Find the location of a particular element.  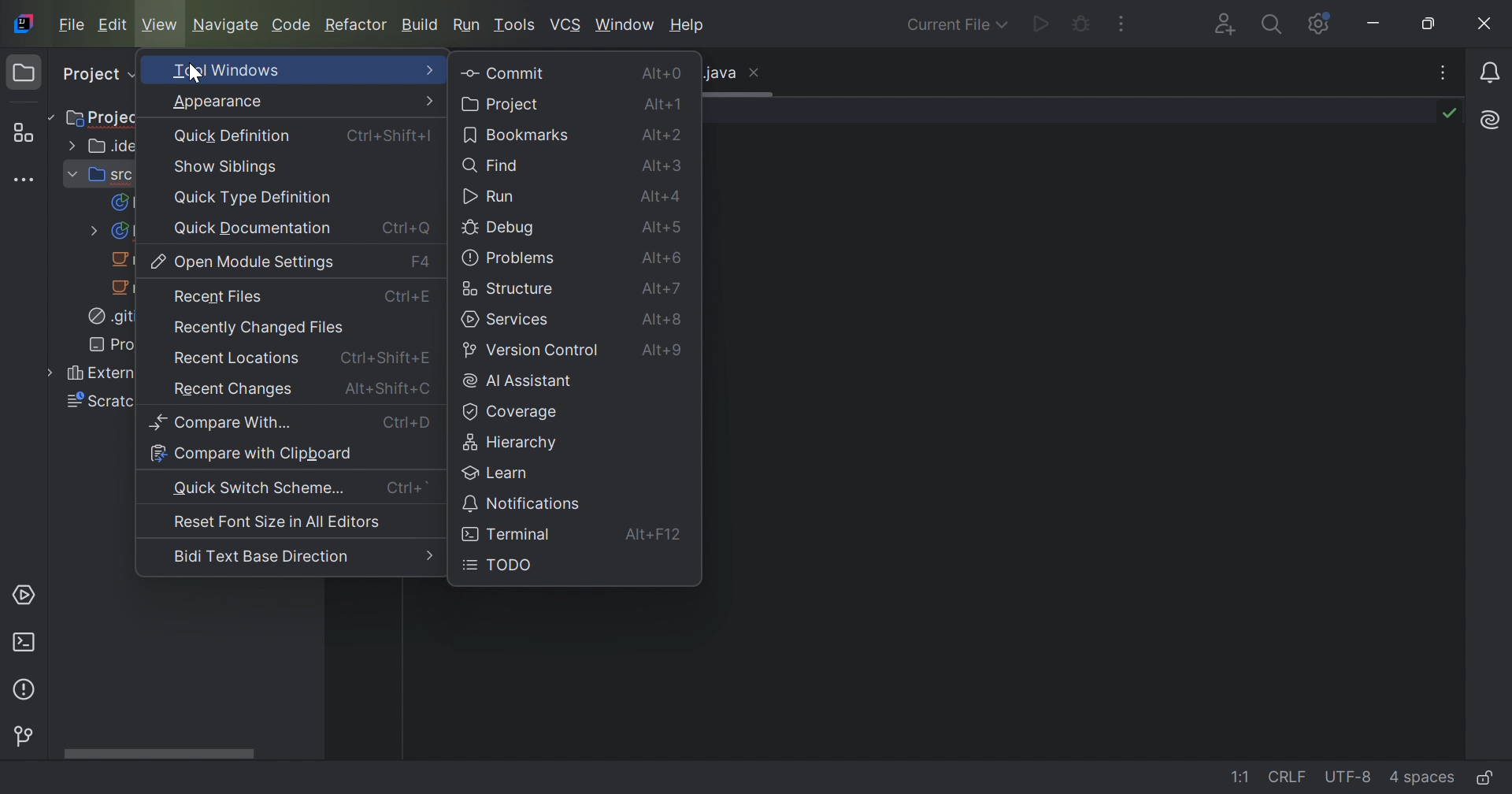

Recent changes is located at coordinates (235, 391).